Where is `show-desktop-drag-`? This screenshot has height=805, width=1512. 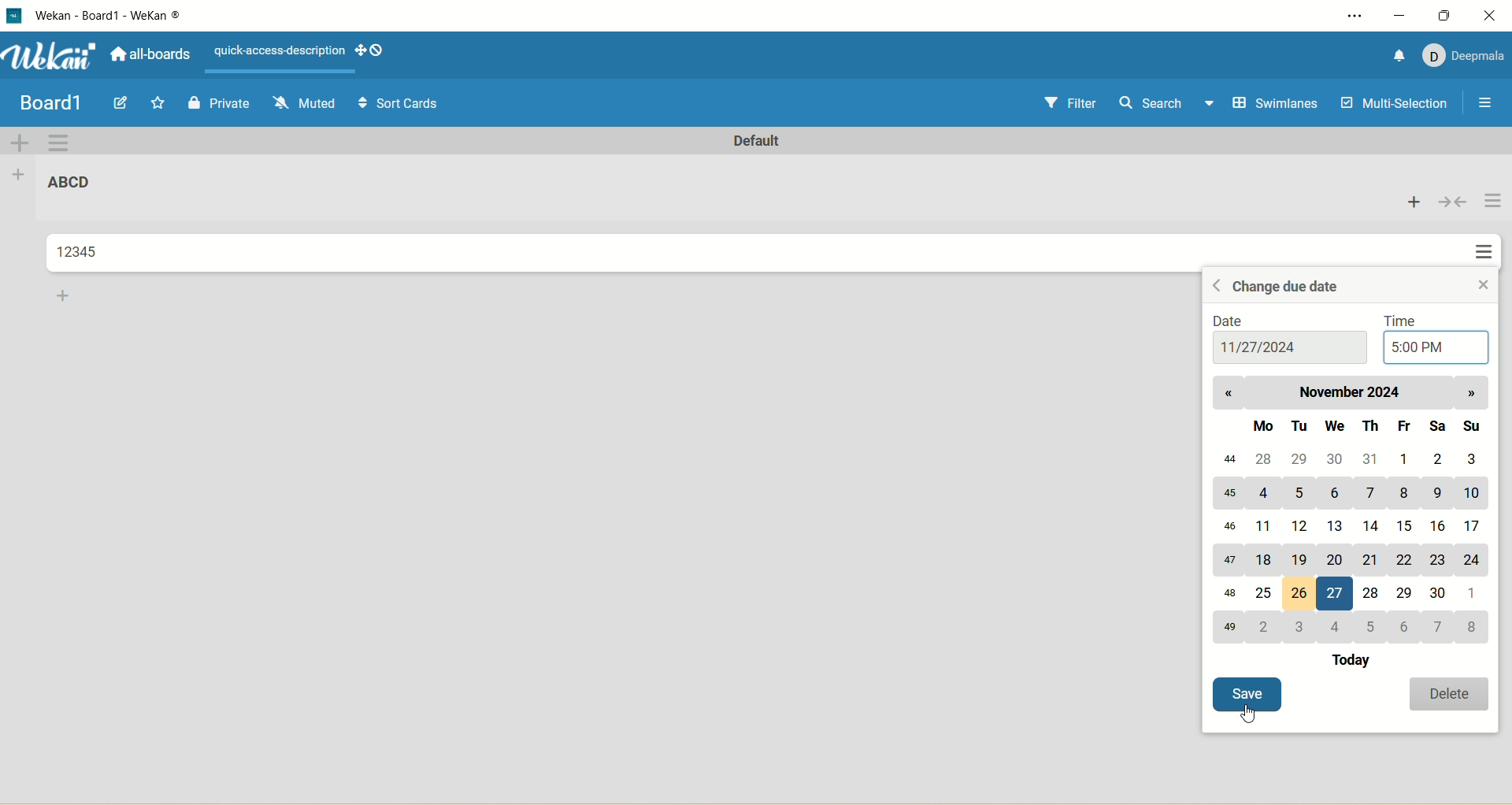 show-desktop-drag- is located at coordinates (370, 50).